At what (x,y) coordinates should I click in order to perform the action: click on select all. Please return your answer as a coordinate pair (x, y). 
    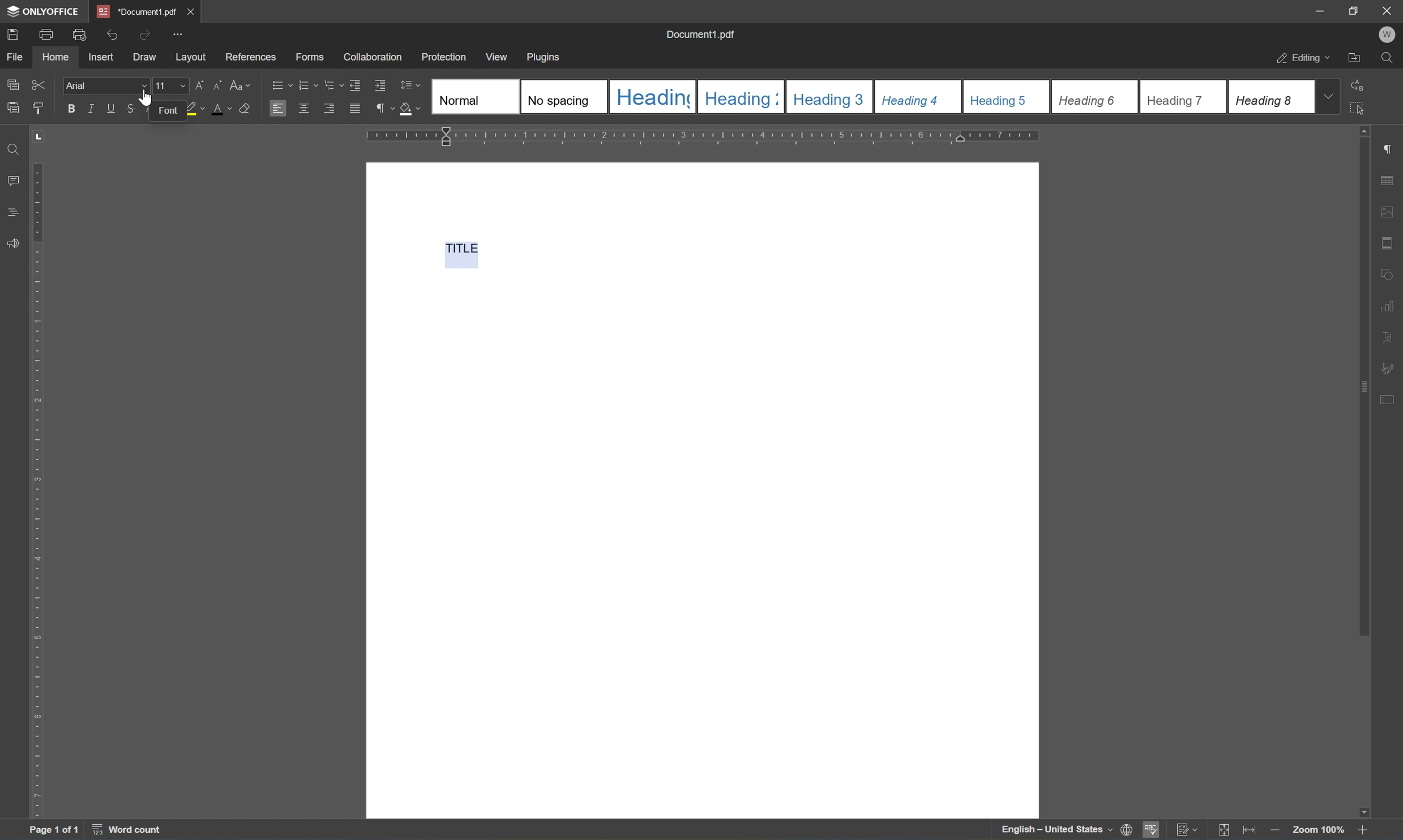
    Looking at the image, I should click on (1358, 109).